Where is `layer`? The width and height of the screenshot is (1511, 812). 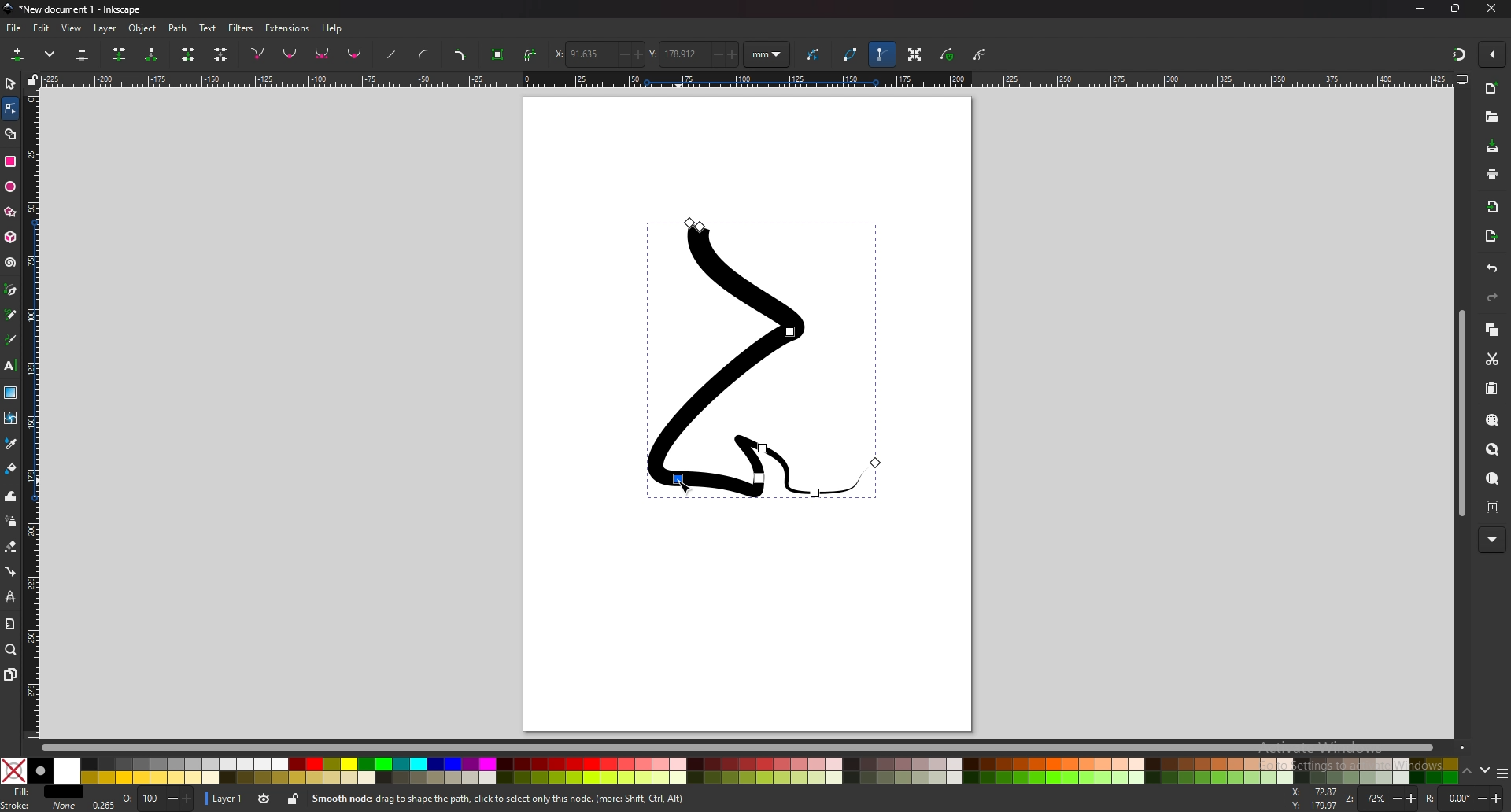 layer is located at coordinates (105, 28).